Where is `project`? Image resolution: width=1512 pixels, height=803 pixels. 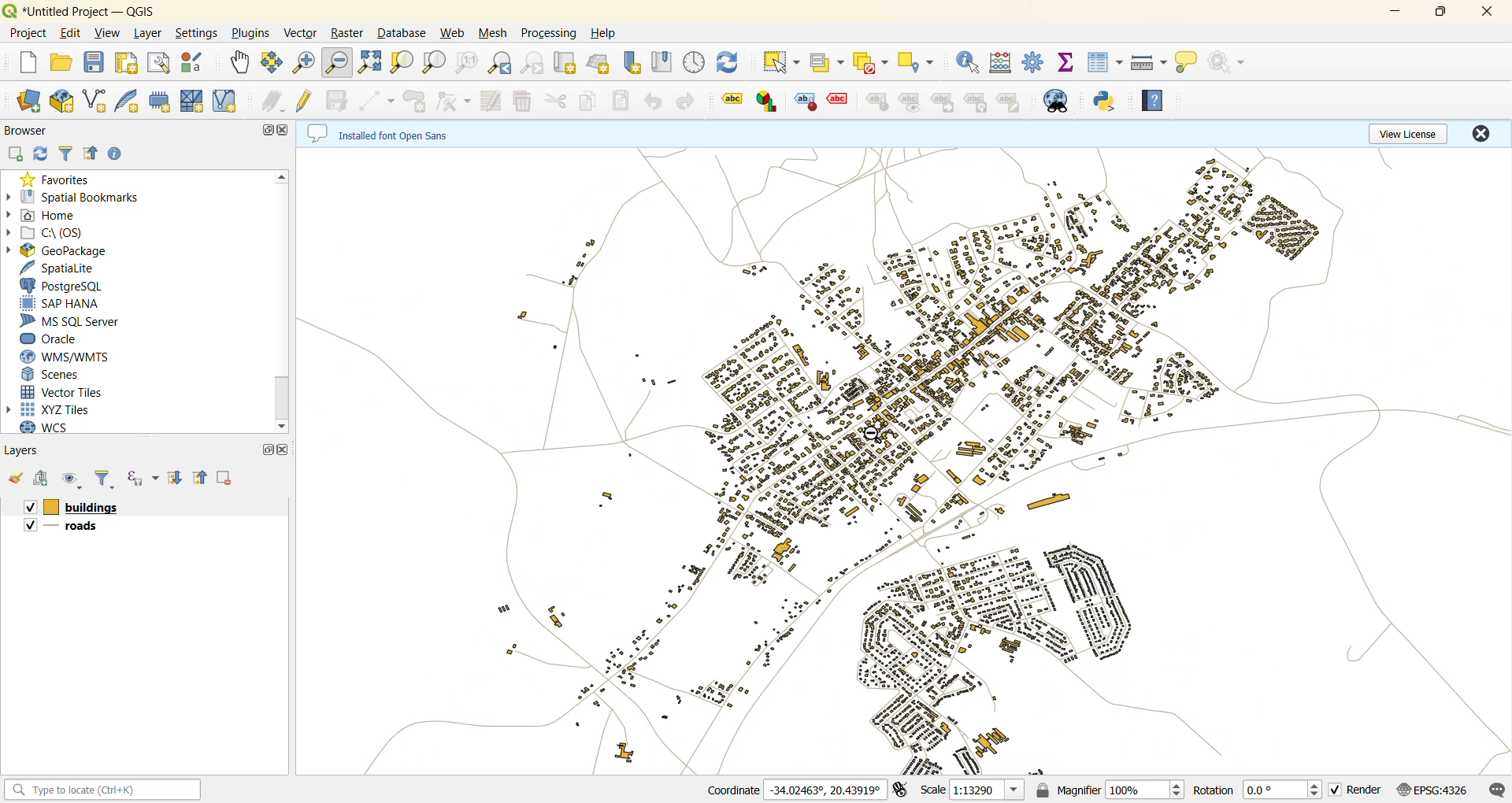
project is located at coordinates (28, 31).